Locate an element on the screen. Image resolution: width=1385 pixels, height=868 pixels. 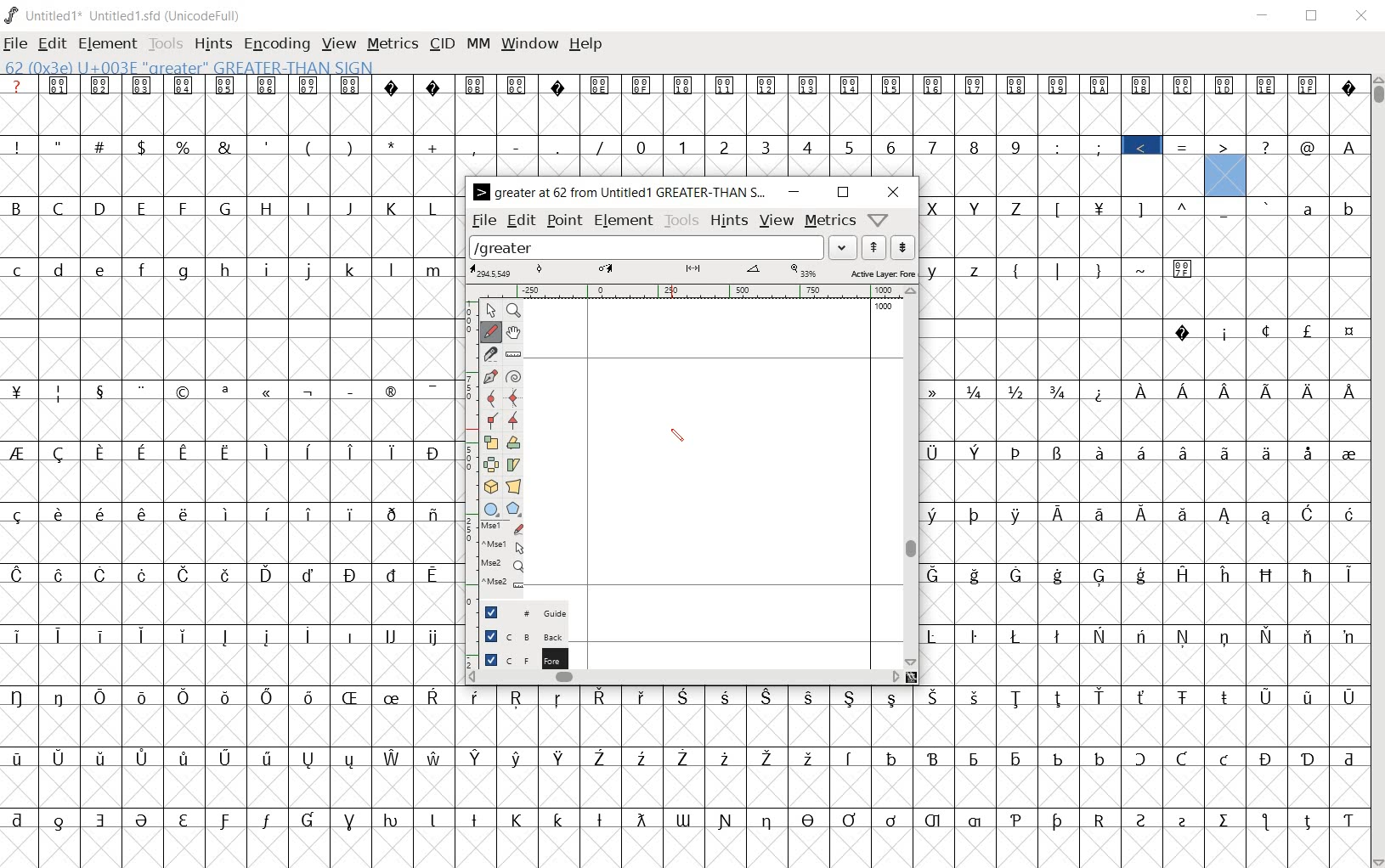
Add a corner point is located at coordinates (514, 420).